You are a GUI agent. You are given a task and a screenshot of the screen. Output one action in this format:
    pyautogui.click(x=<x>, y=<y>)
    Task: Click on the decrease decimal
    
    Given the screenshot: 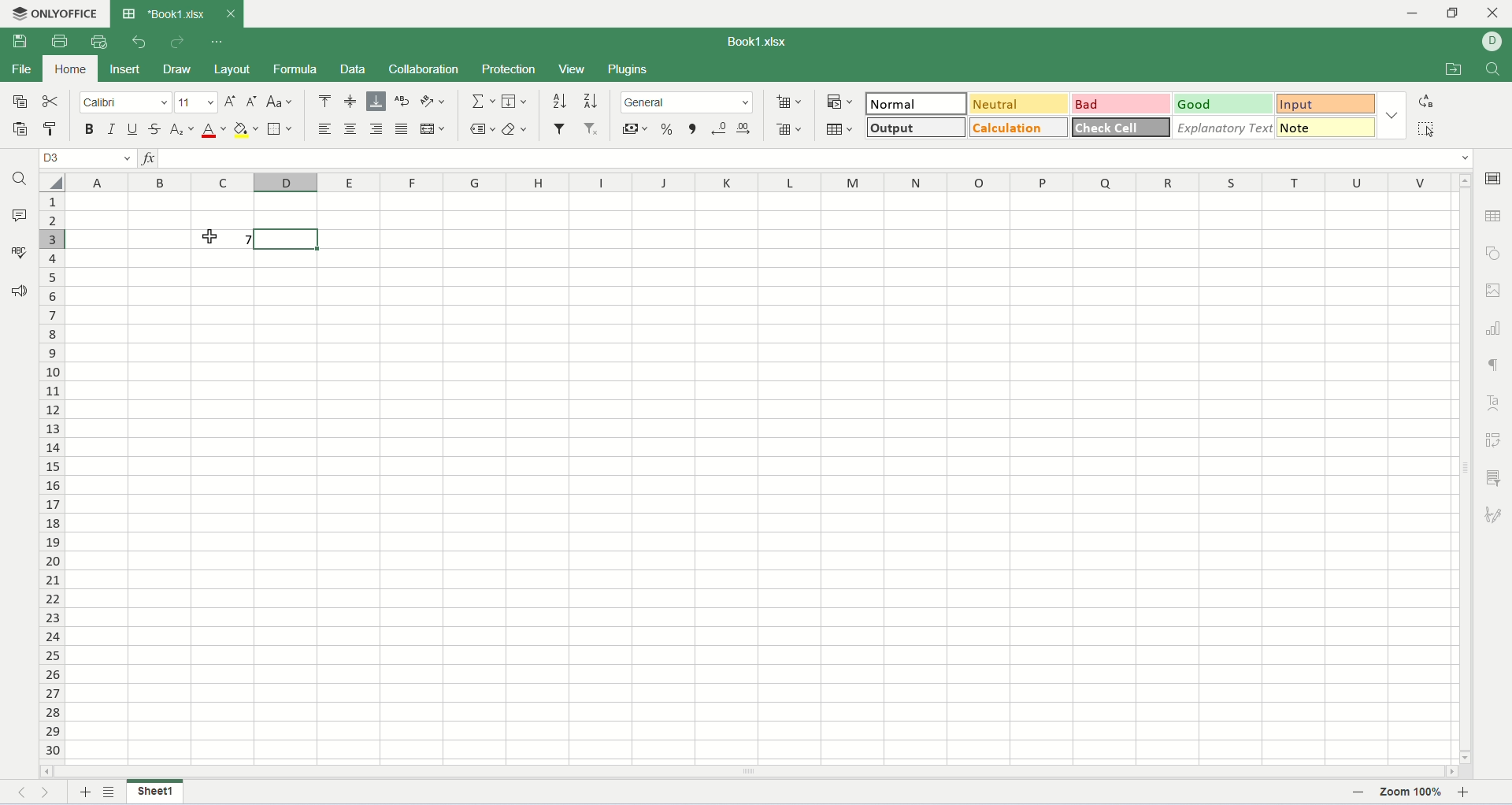 What is the action you would take?
    pyautogui.click(x=718, y=127)
    